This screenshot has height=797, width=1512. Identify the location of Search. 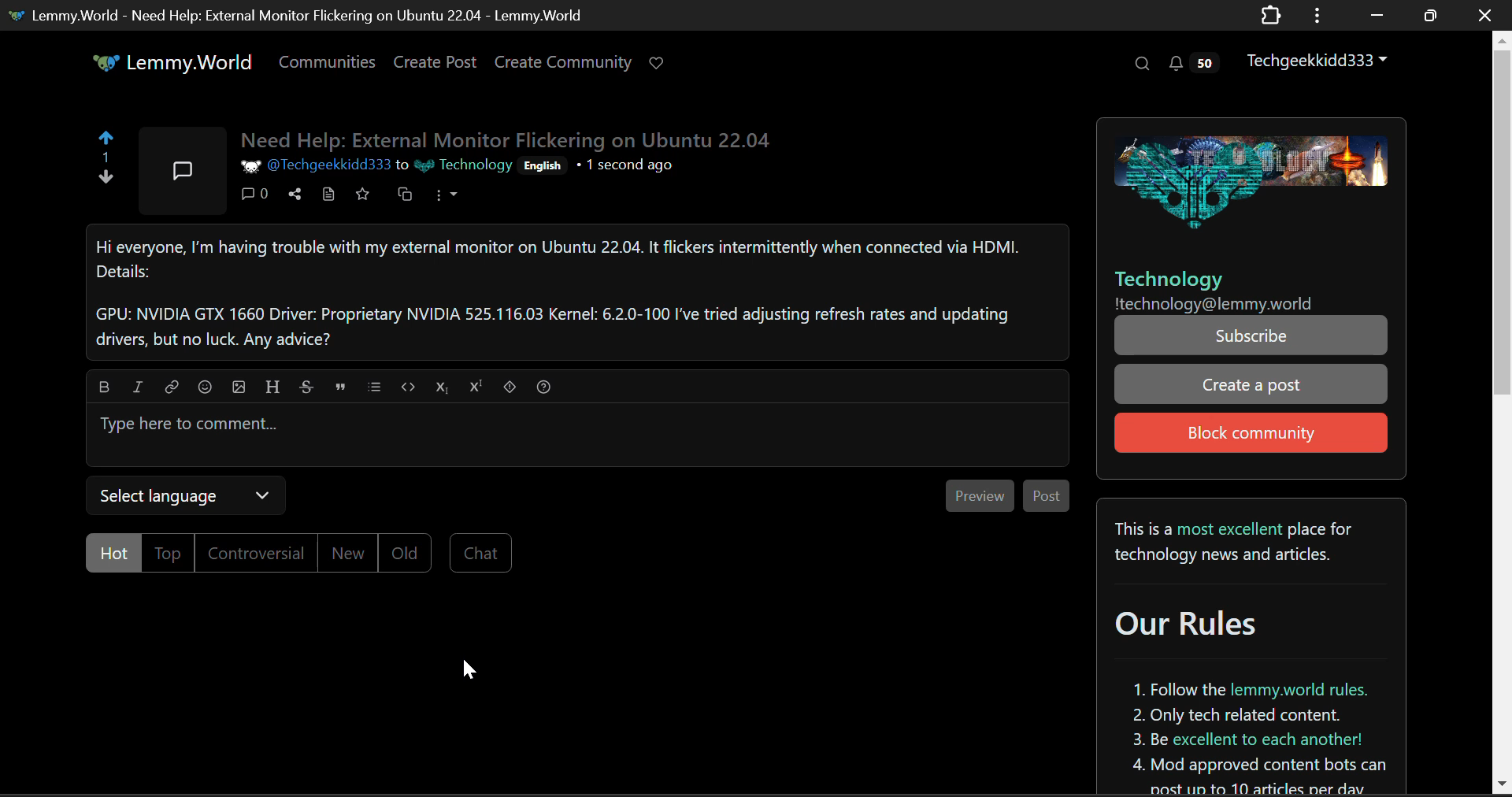
(1140, 63).